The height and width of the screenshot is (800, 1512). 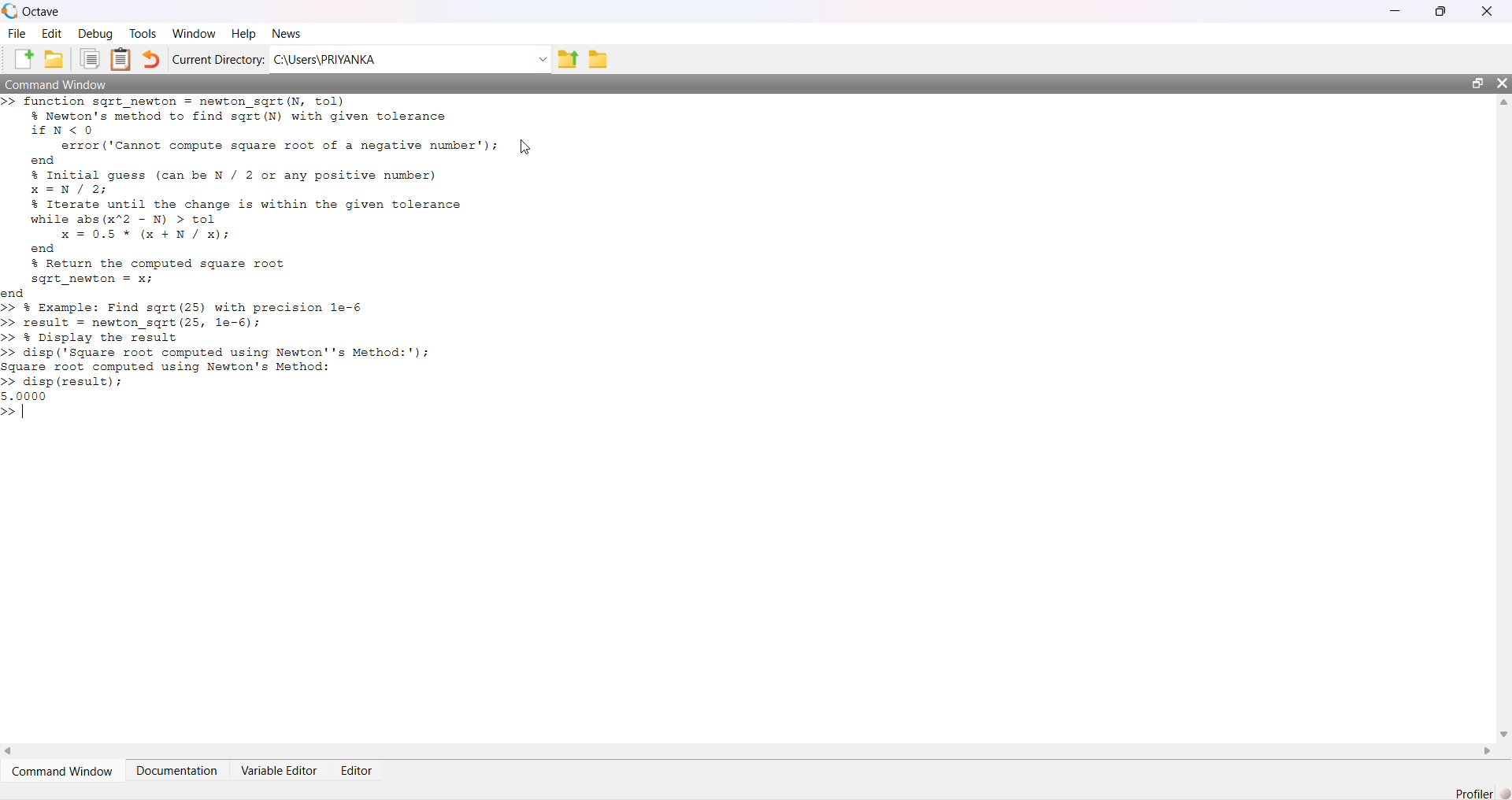 What do you see at coordinates (17, 35) in the screenshot?
I see `File` at bounding box center [17, 35].